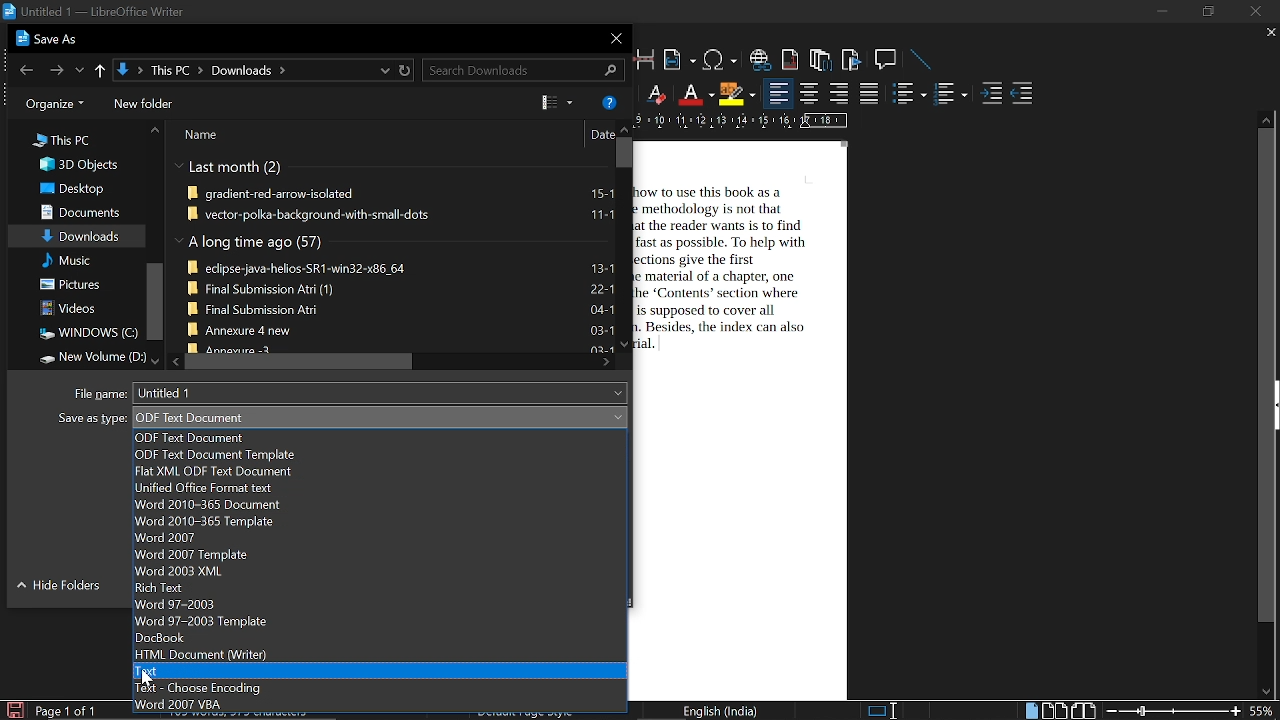  What do you see at coordinates (401, 214) in the screenshot?
I see `vector-polka-background-with-small-dots 11-1` at bounding box center [401, 214].